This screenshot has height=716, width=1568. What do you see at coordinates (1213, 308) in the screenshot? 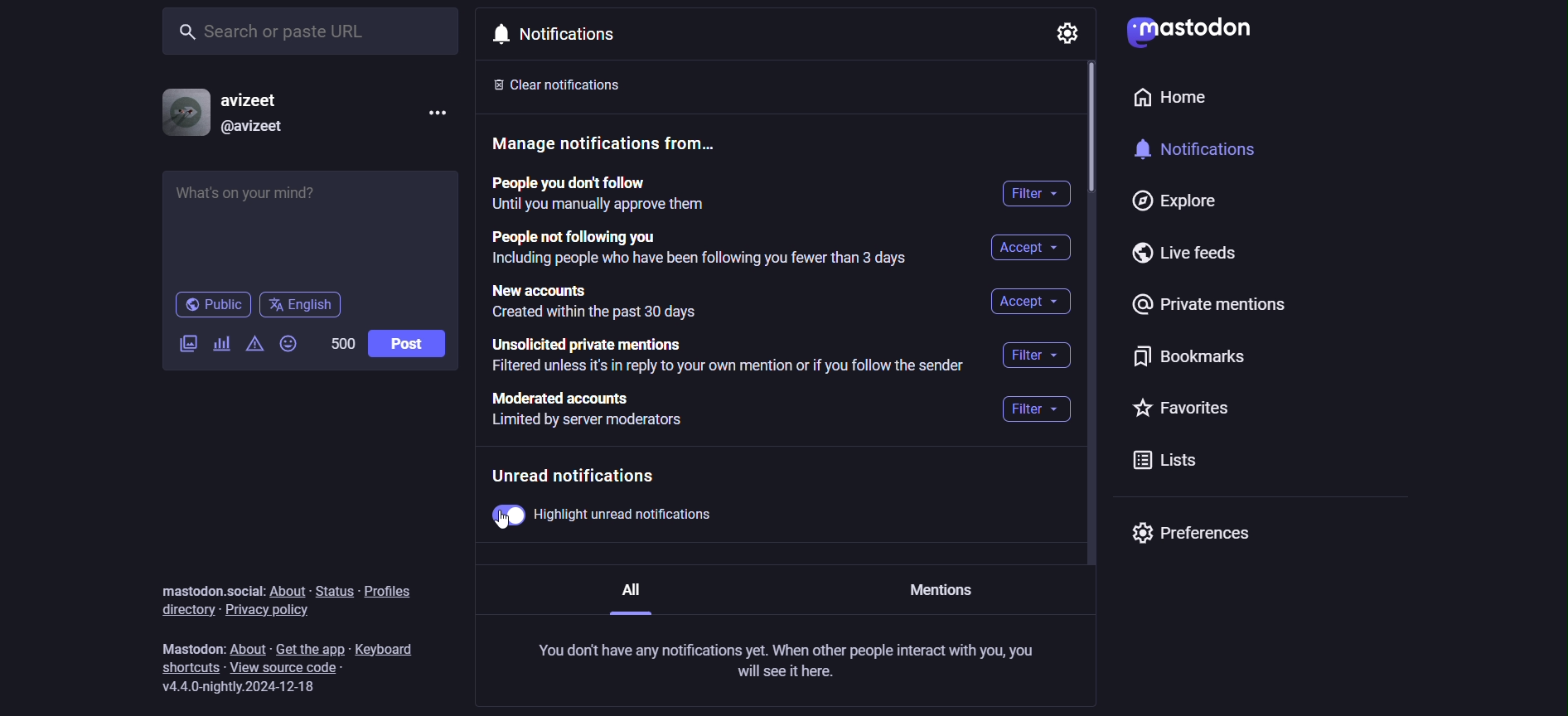
I see `private mentions` at bounding box center [1213, 308].